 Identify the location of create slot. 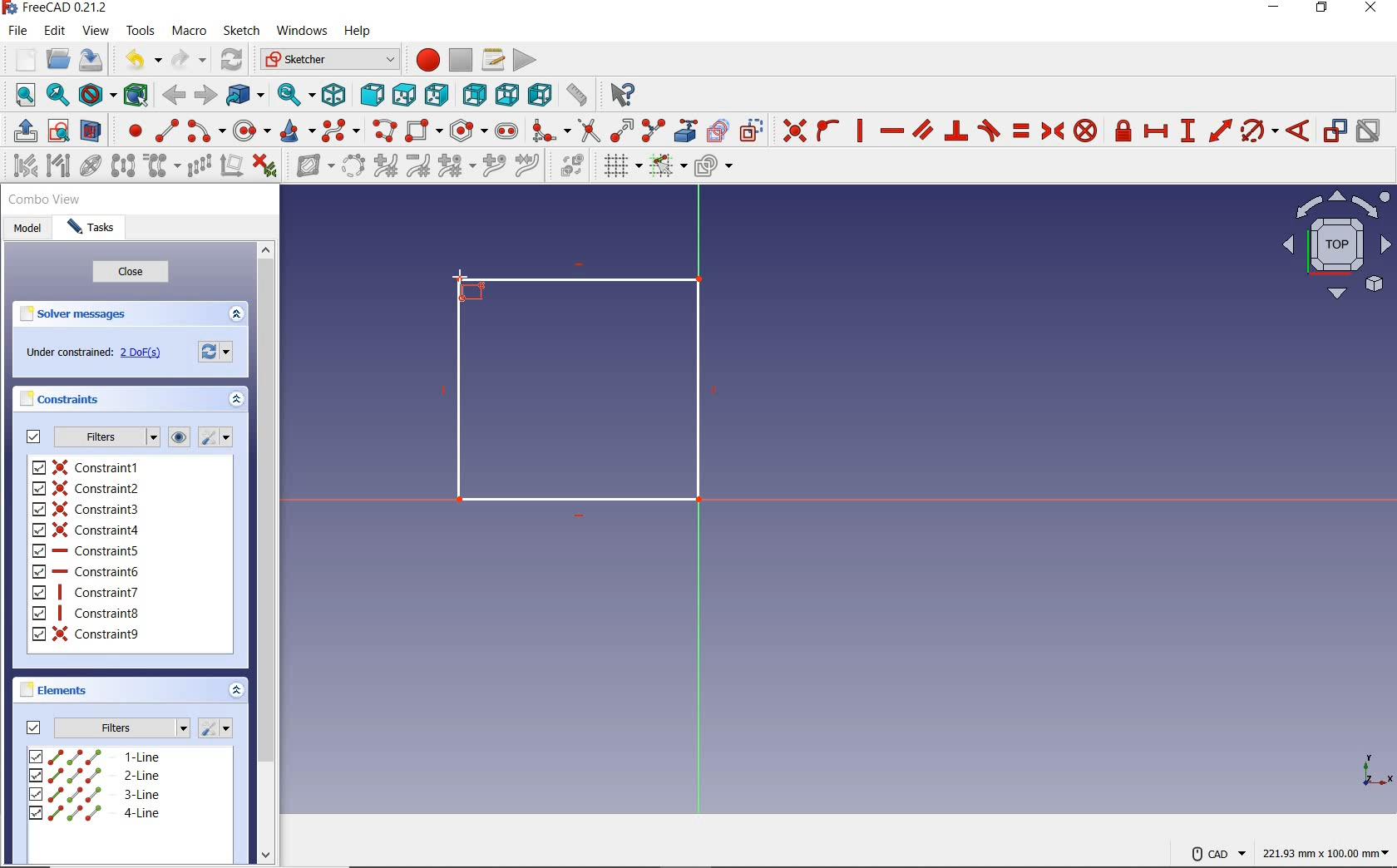
(507, 130).